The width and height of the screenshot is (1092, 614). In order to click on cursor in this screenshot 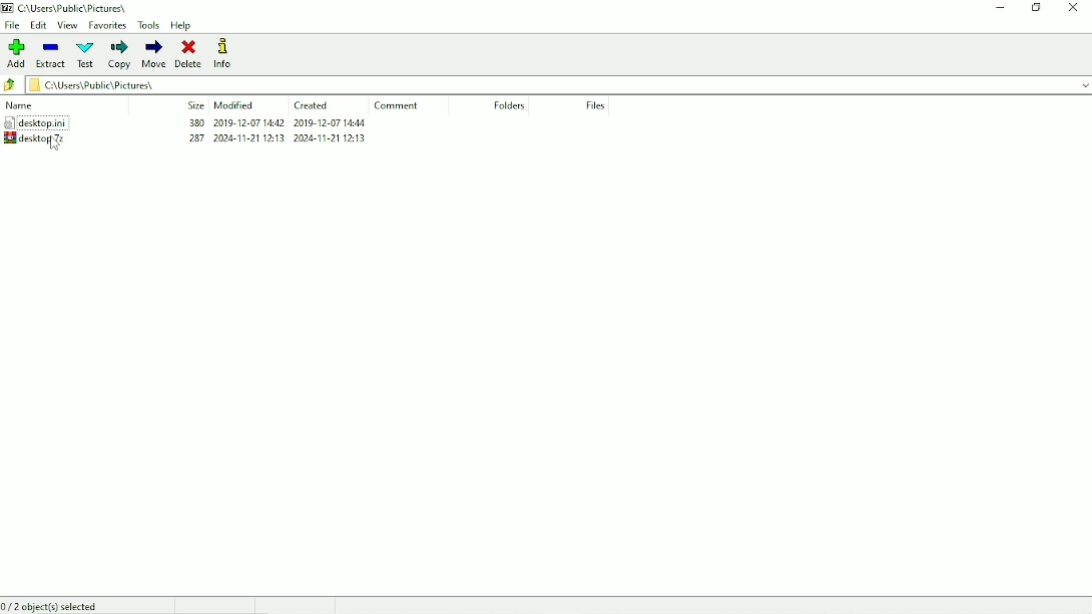, I will do `click(54, 146)`.